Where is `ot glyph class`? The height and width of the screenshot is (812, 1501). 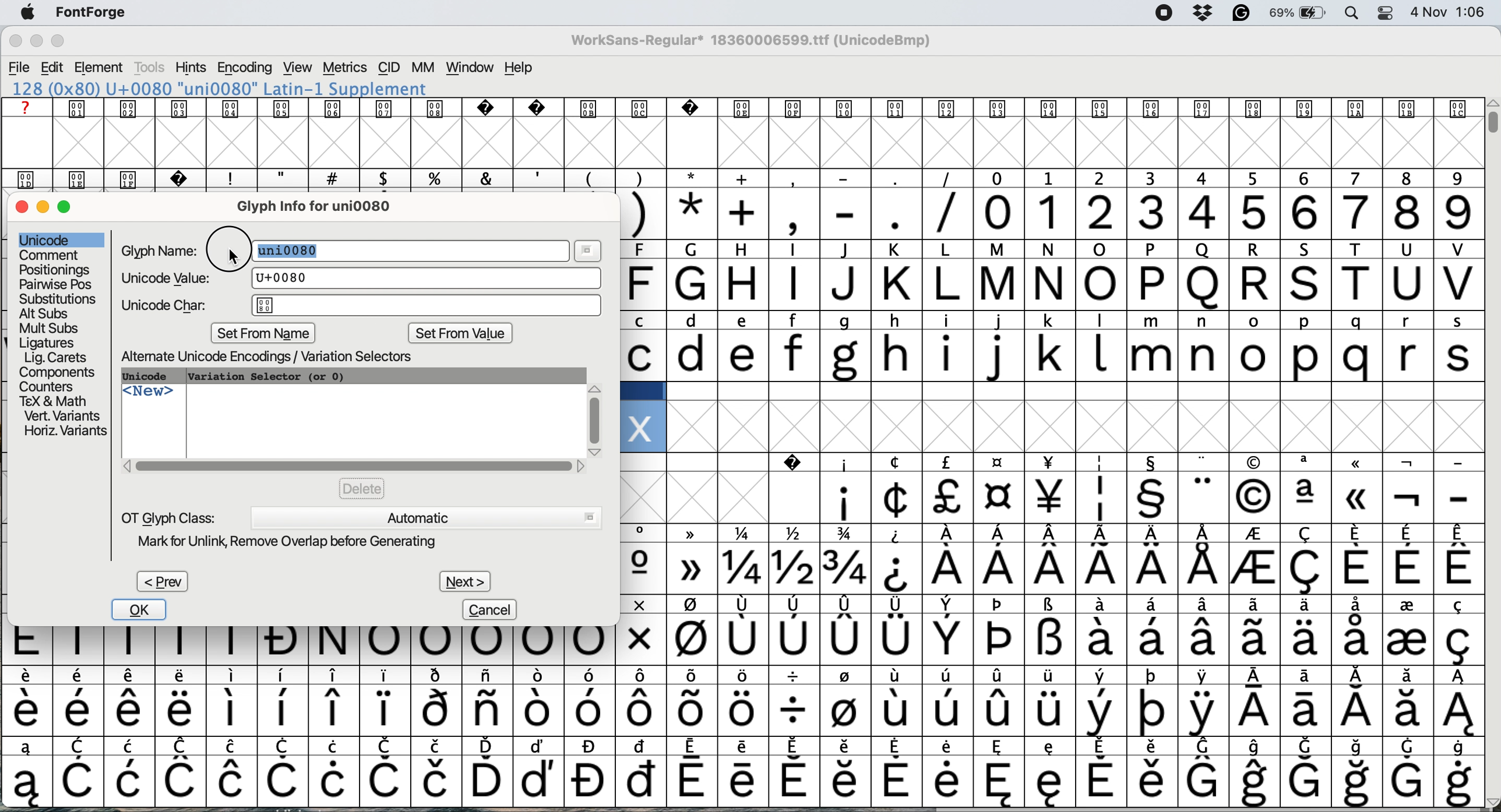 ot glyph class is located at coordinates (169, 517).